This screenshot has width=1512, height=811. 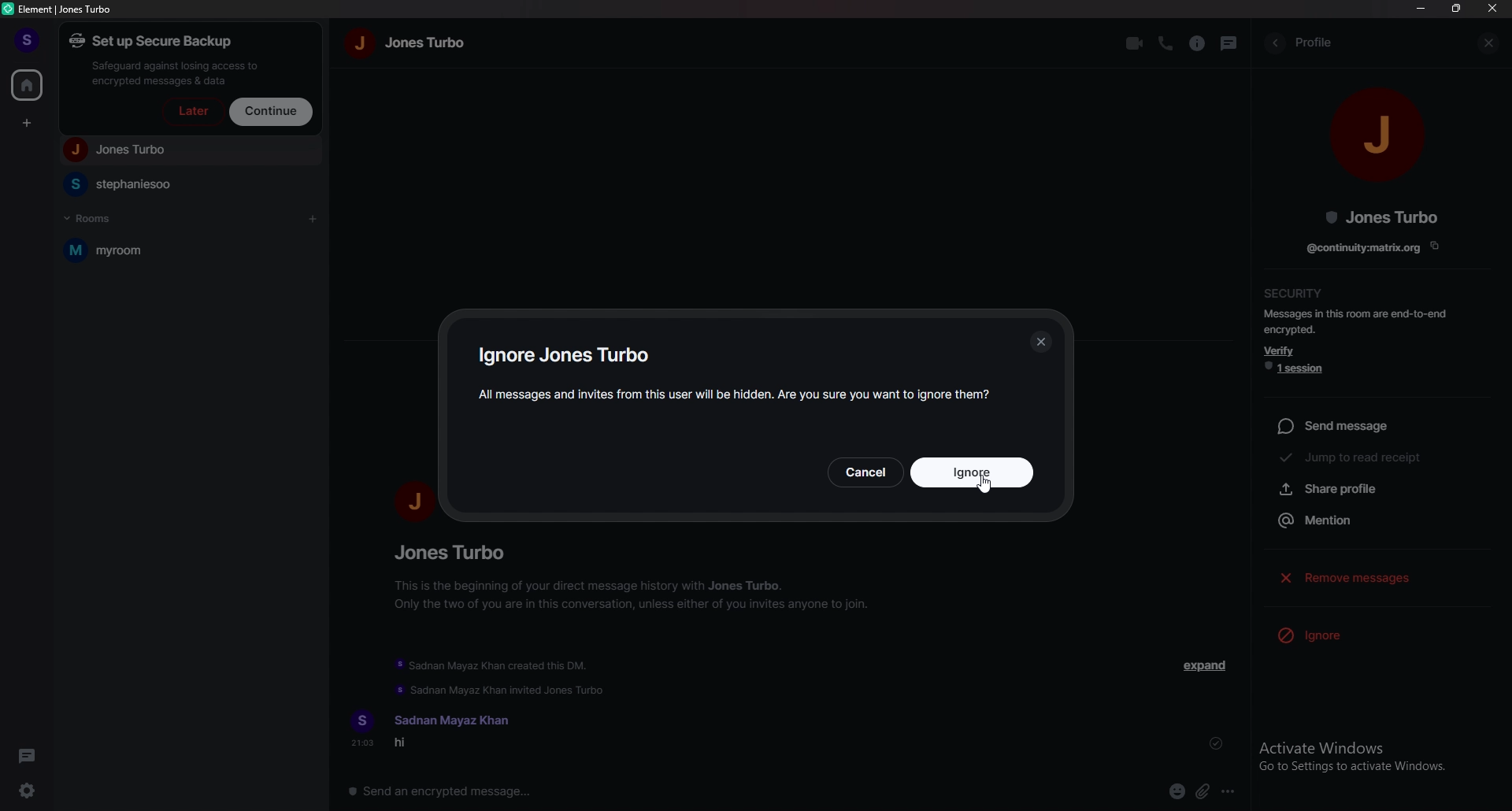 What do you see at coordinates (971, 465) in the screenshot?
I see `ignore` at bounding box center [971, 465].